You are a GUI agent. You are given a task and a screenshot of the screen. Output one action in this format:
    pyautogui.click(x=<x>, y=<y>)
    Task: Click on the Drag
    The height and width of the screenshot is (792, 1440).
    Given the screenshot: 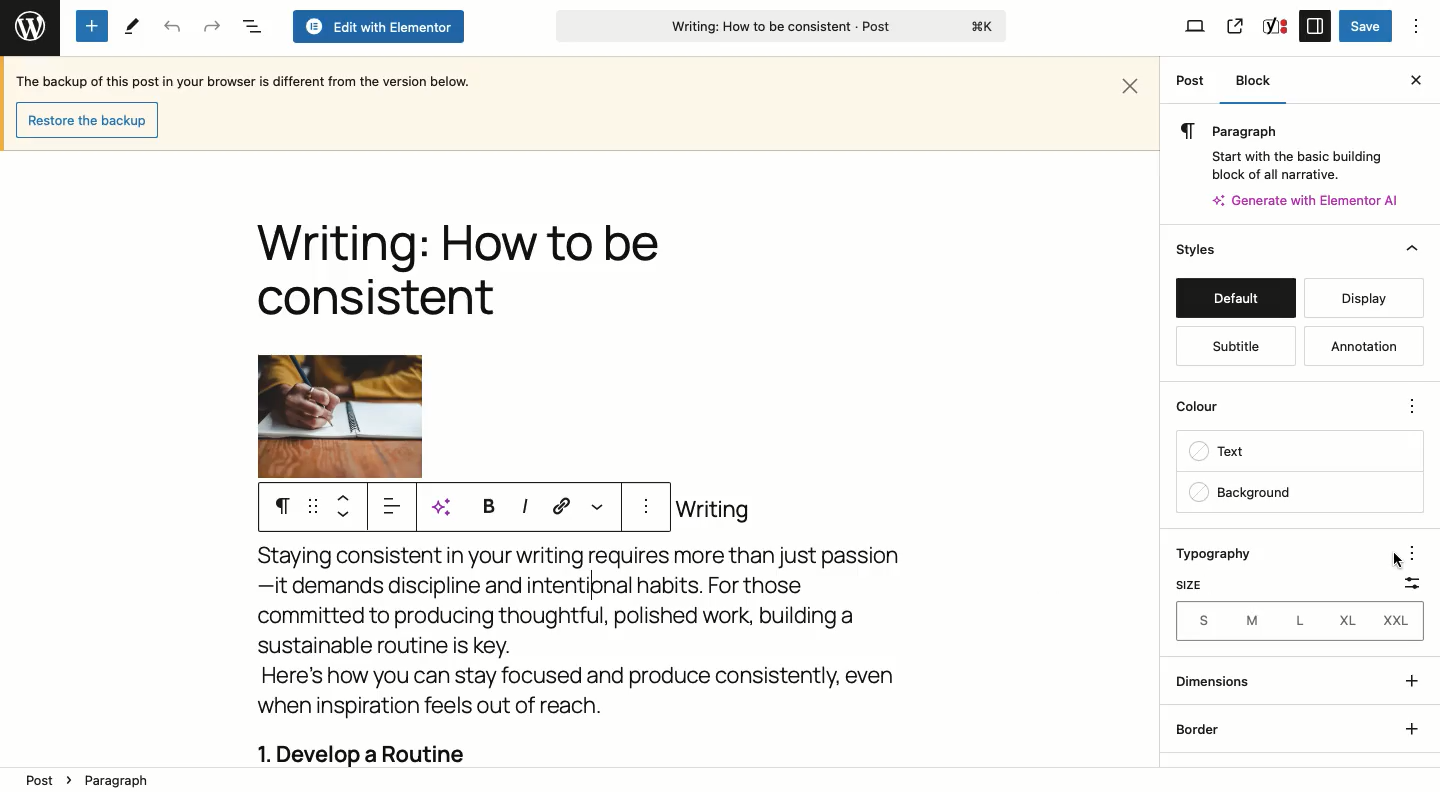 What is the action you would take?
    pyautogui.click(x=313, y=507)
    